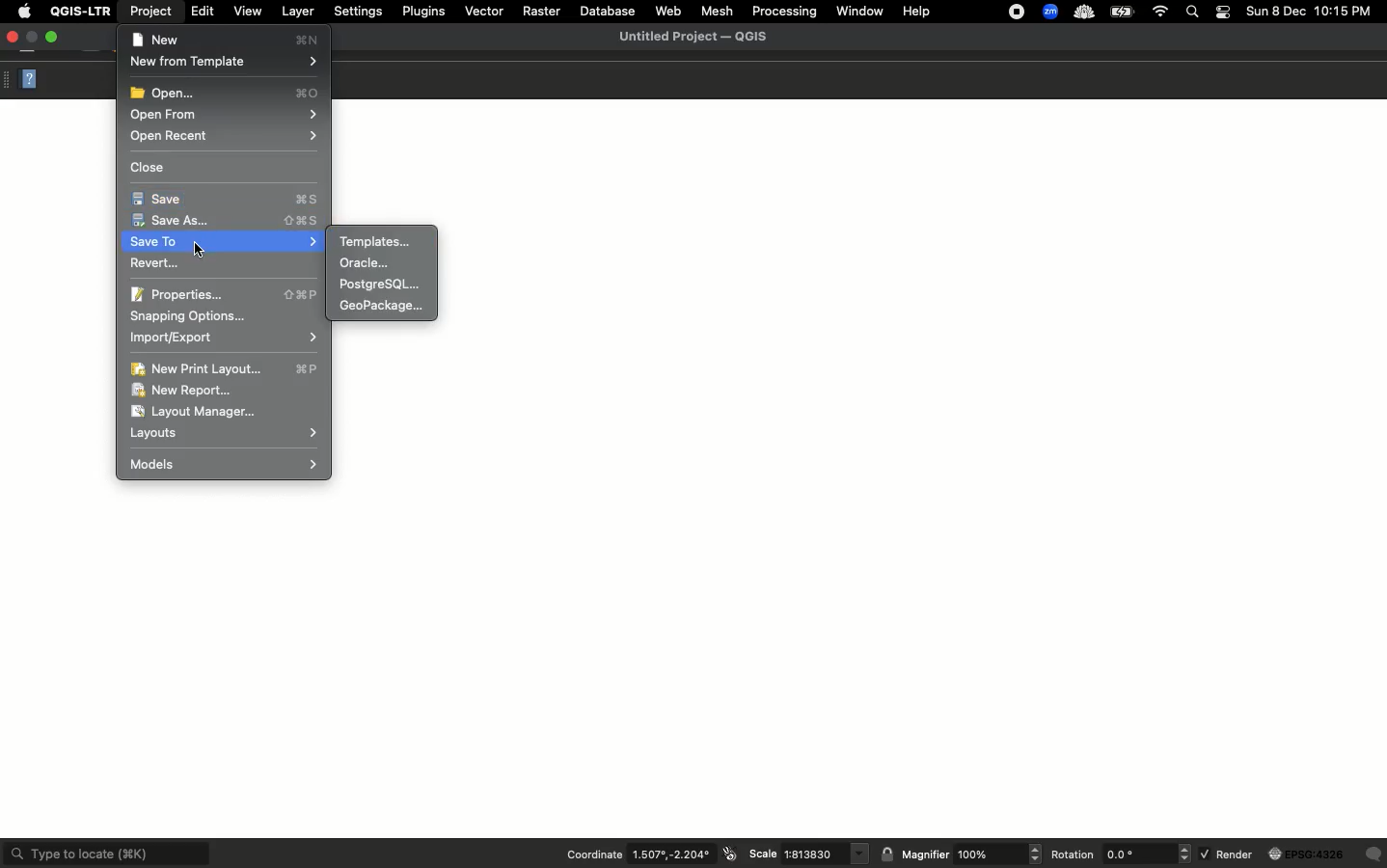 Image resolution: width=1387 pixels, height=868 pixels. What do you see at coordinates (889, 854) in the screenshot?
I see `lock` at bounding box center [889, 854].